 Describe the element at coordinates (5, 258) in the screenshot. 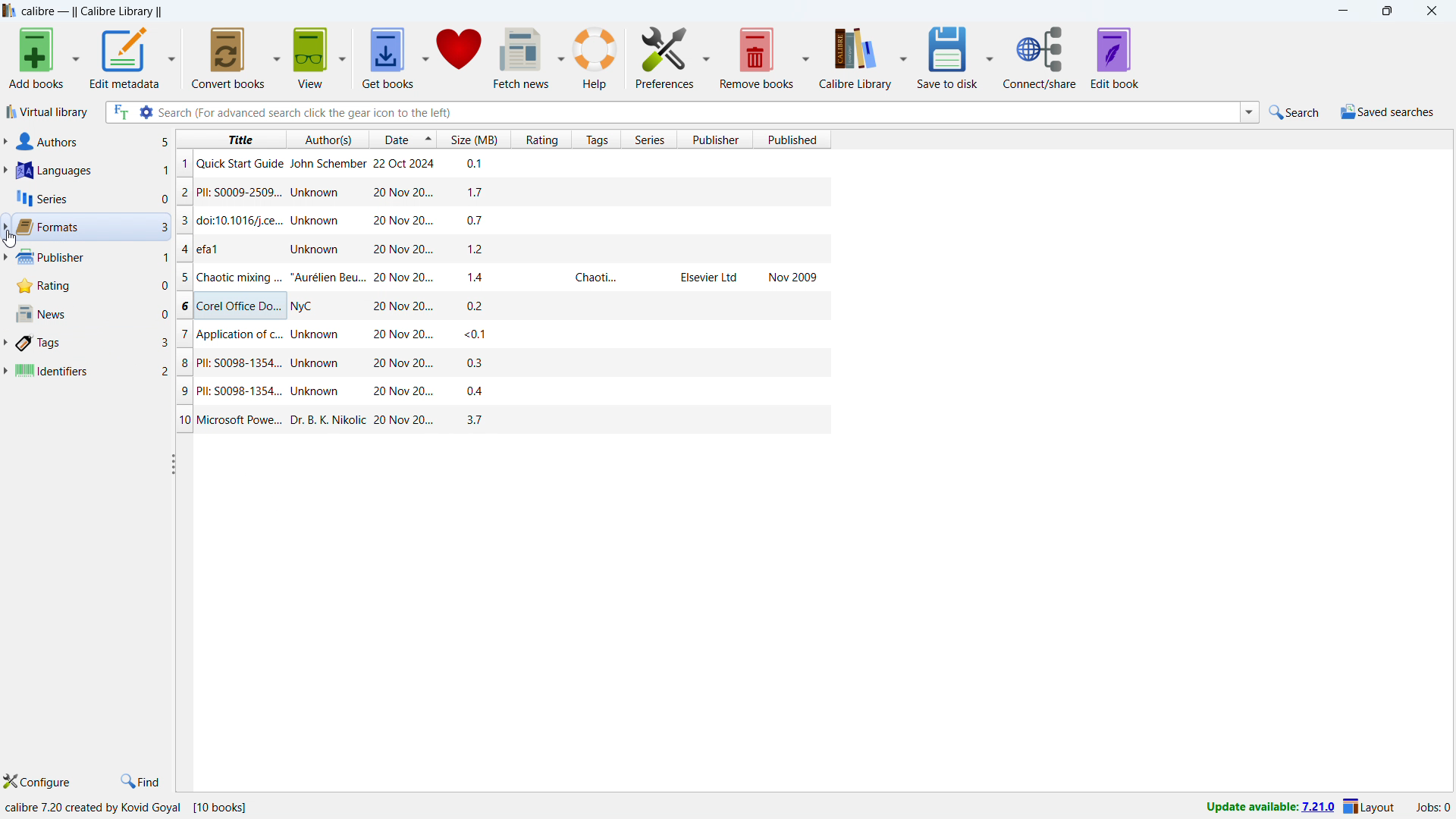

I see `expand publishers` at that location.